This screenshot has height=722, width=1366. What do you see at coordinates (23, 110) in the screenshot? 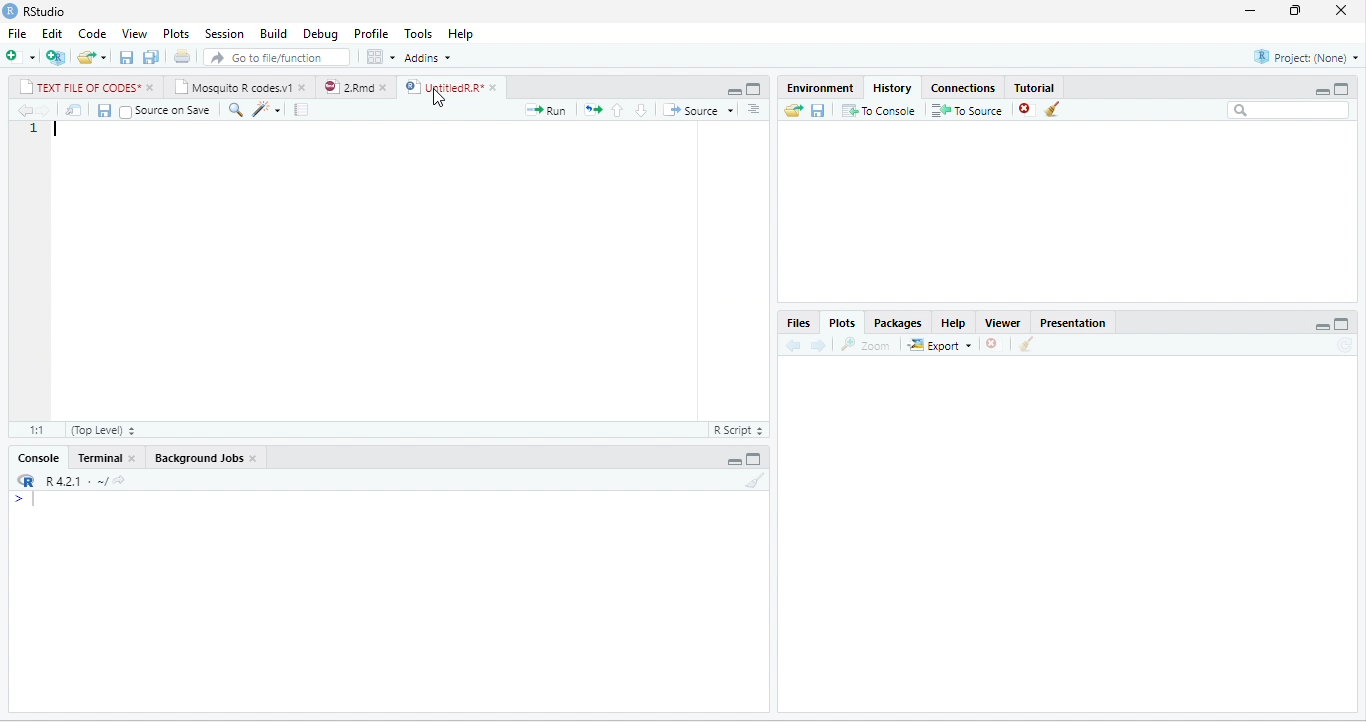
I see `back` at bounding box center [23, 110].